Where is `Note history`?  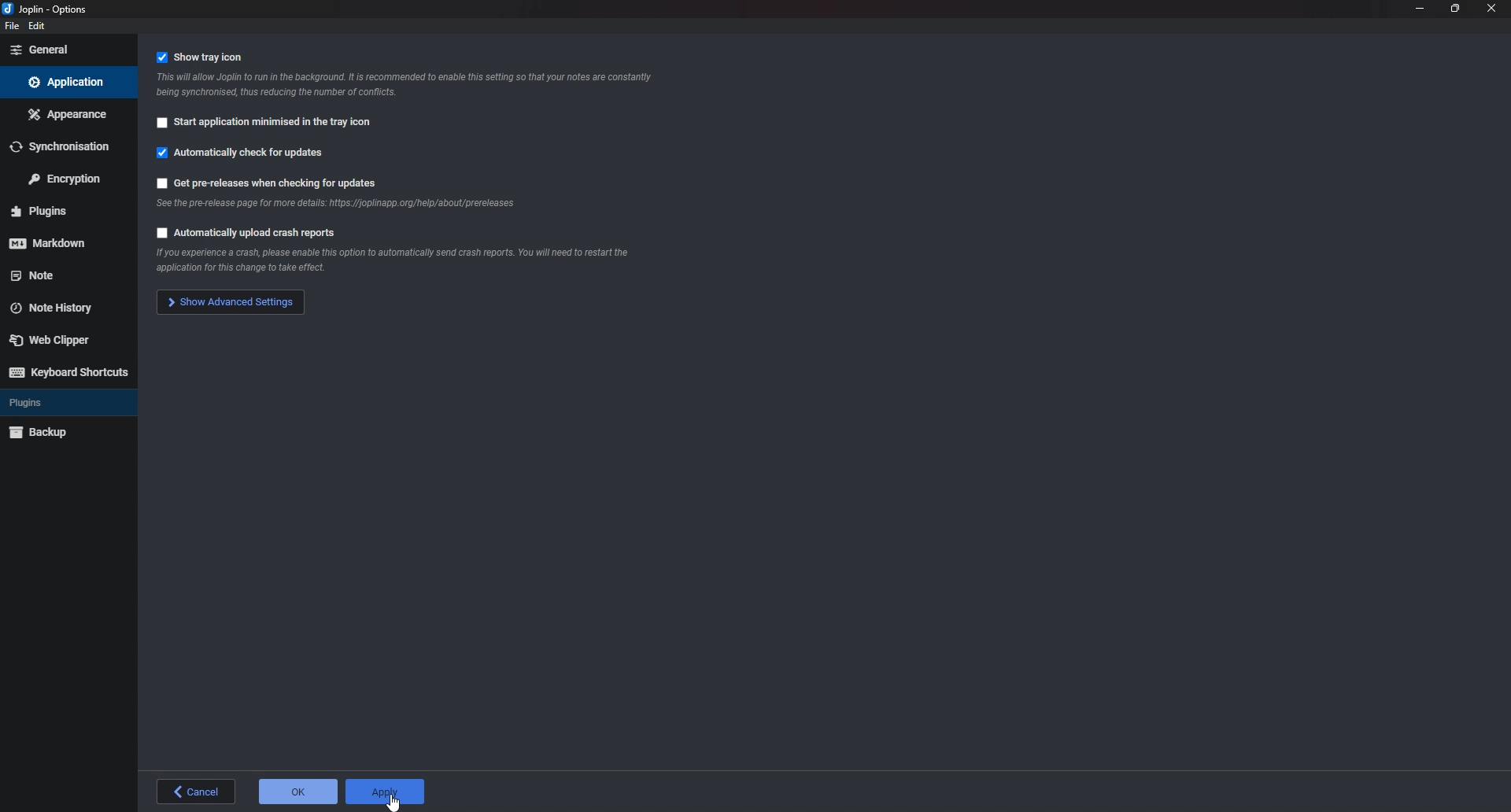 Note history is located at coordinates (59, 308).